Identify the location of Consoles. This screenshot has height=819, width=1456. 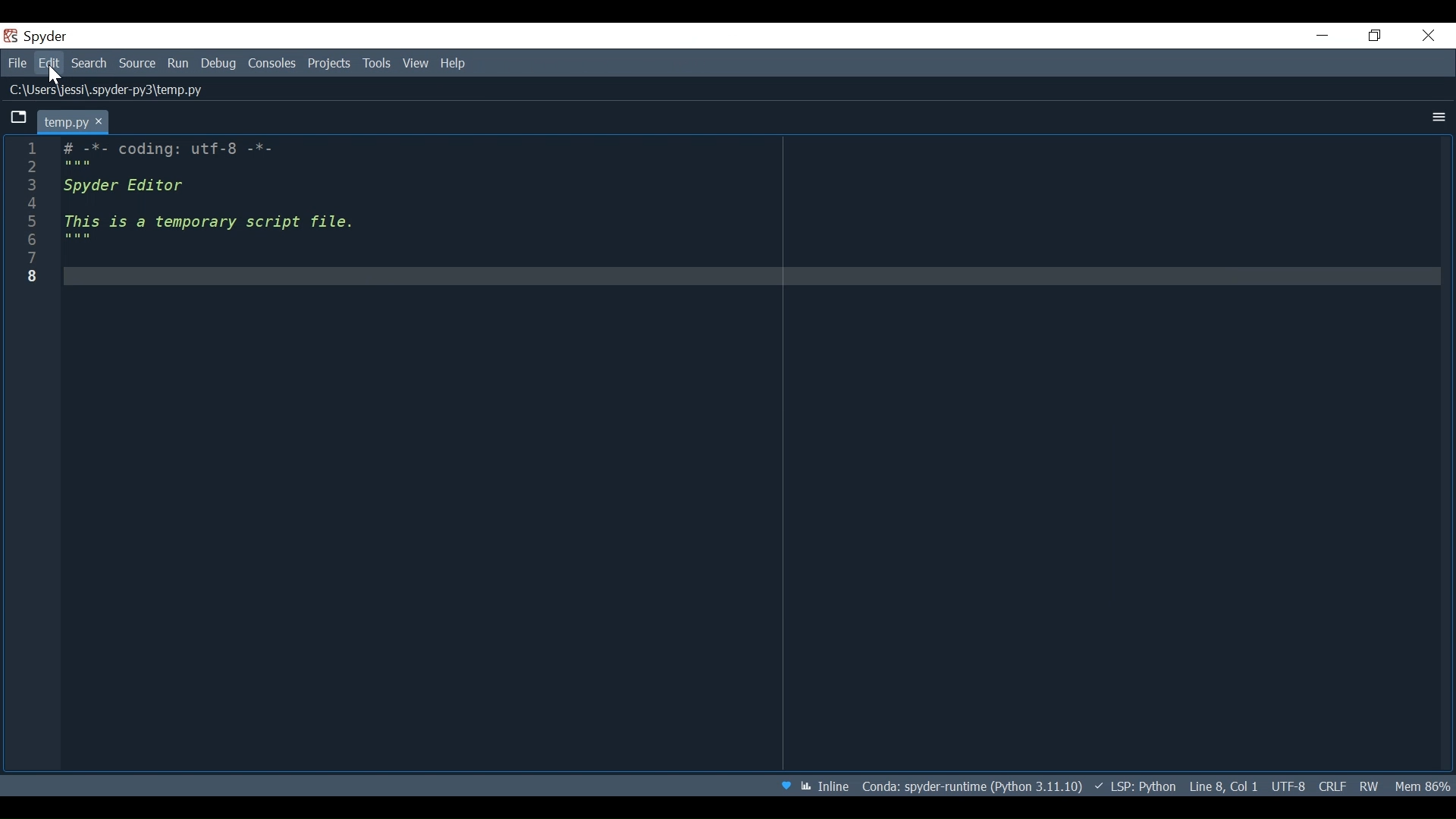
(274, 65).